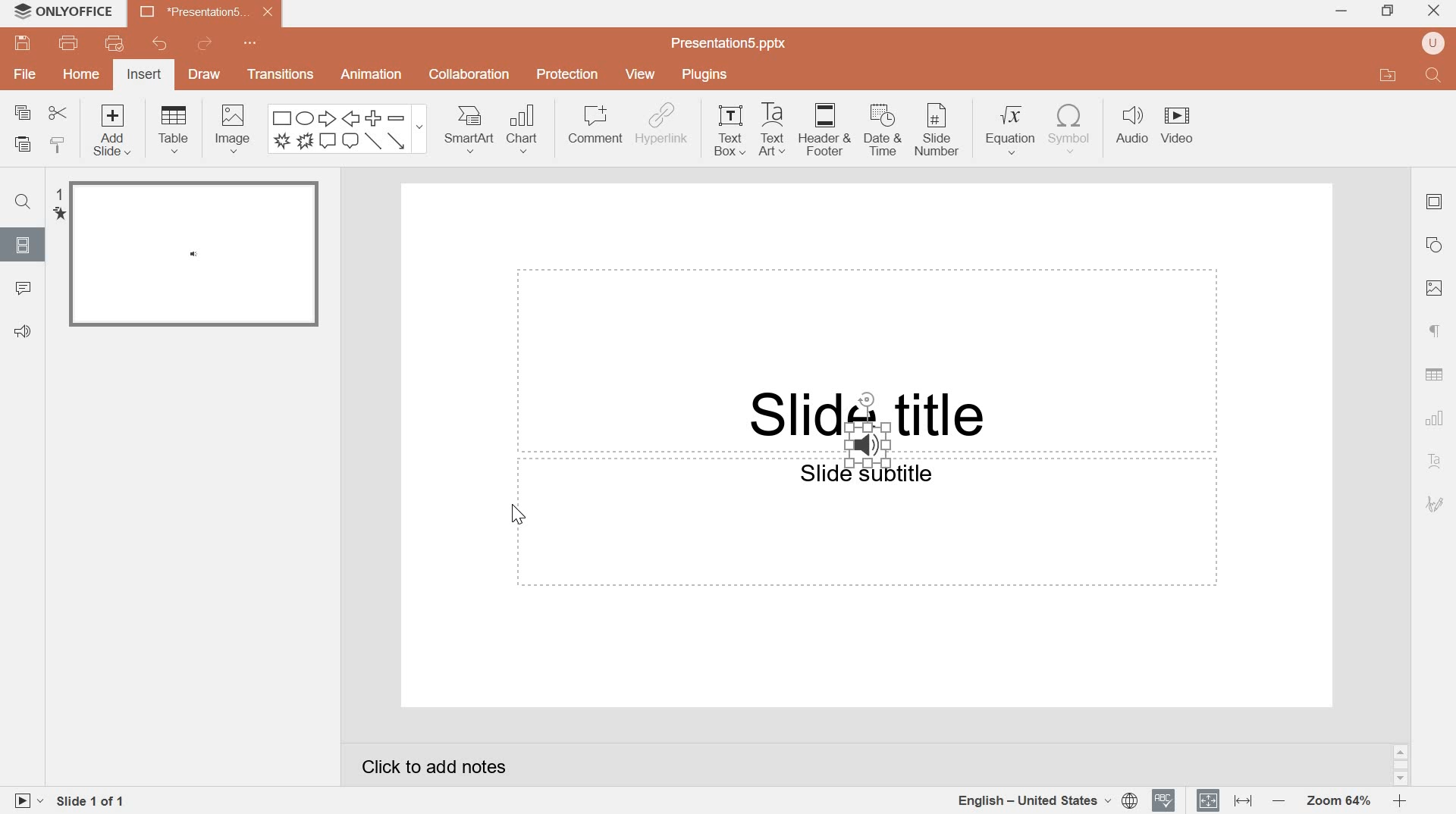 The height and width of the screenshot is (814, 1456). What do you see at coordinates (1432, 246) in the screenshot?
I see `shape settings` at bounding box center [1432, 246].